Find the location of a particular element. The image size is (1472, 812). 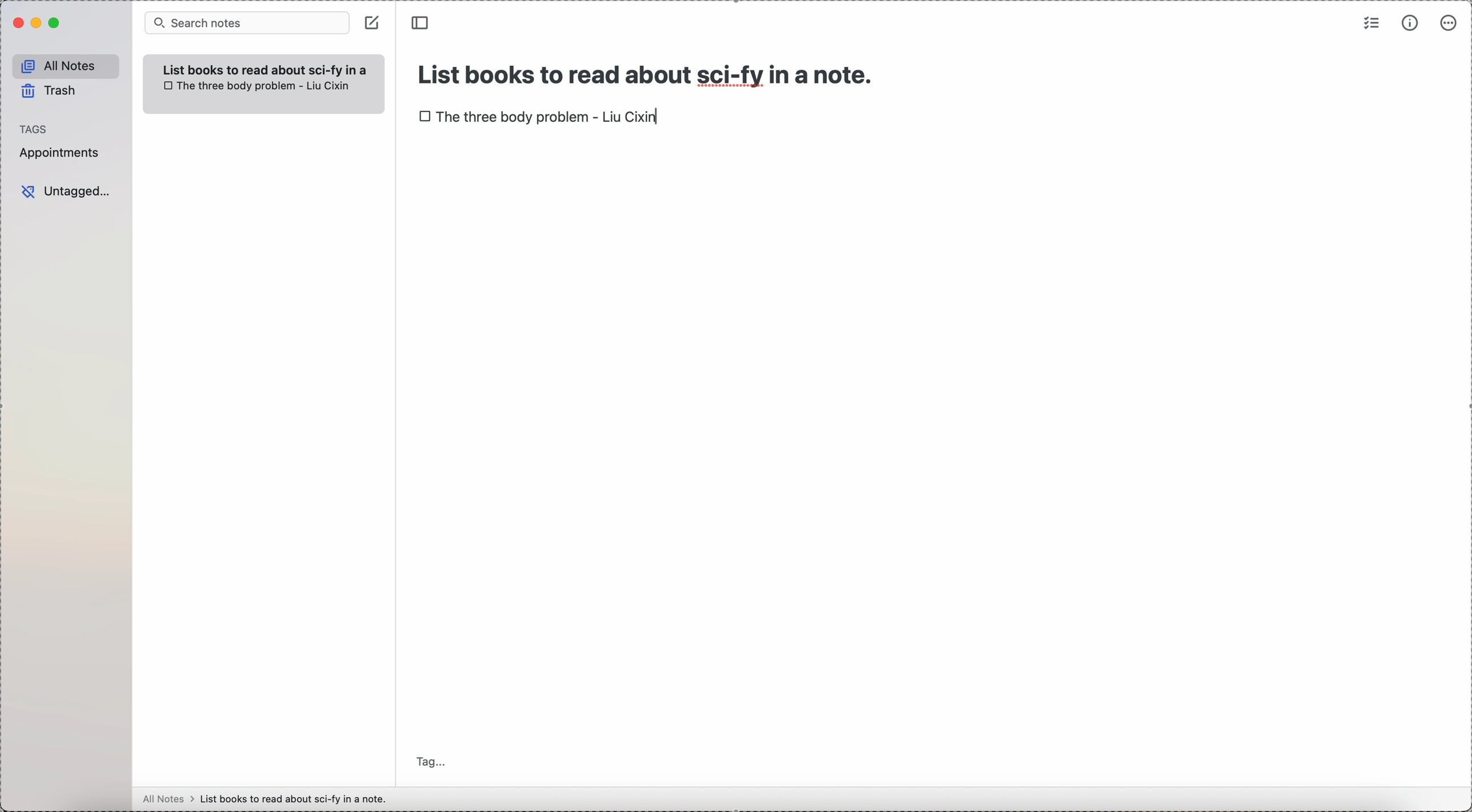

tag... is located at coordinates (431, 754).